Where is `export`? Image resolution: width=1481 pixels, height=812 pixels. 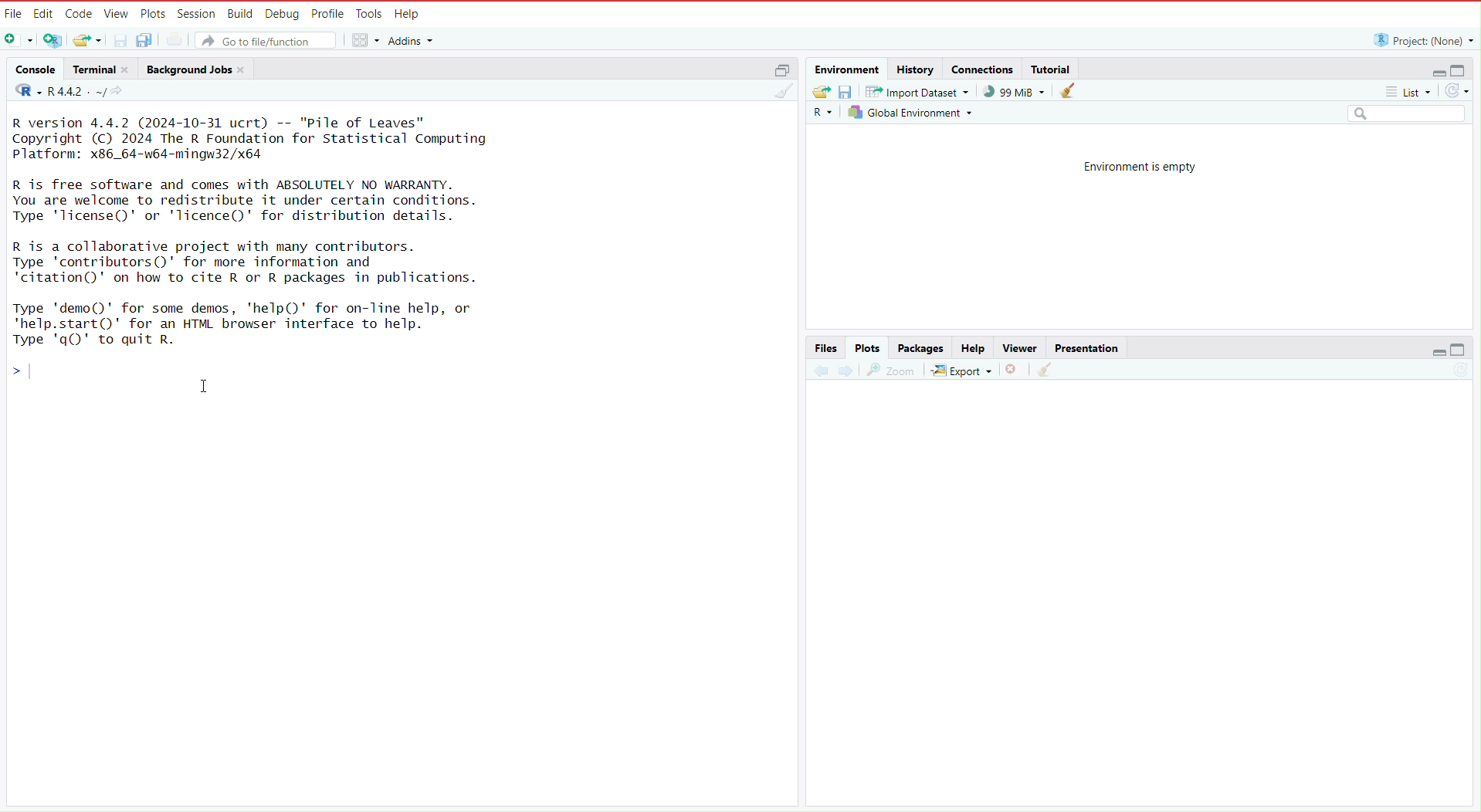 export is located at coordinates (961, 370).